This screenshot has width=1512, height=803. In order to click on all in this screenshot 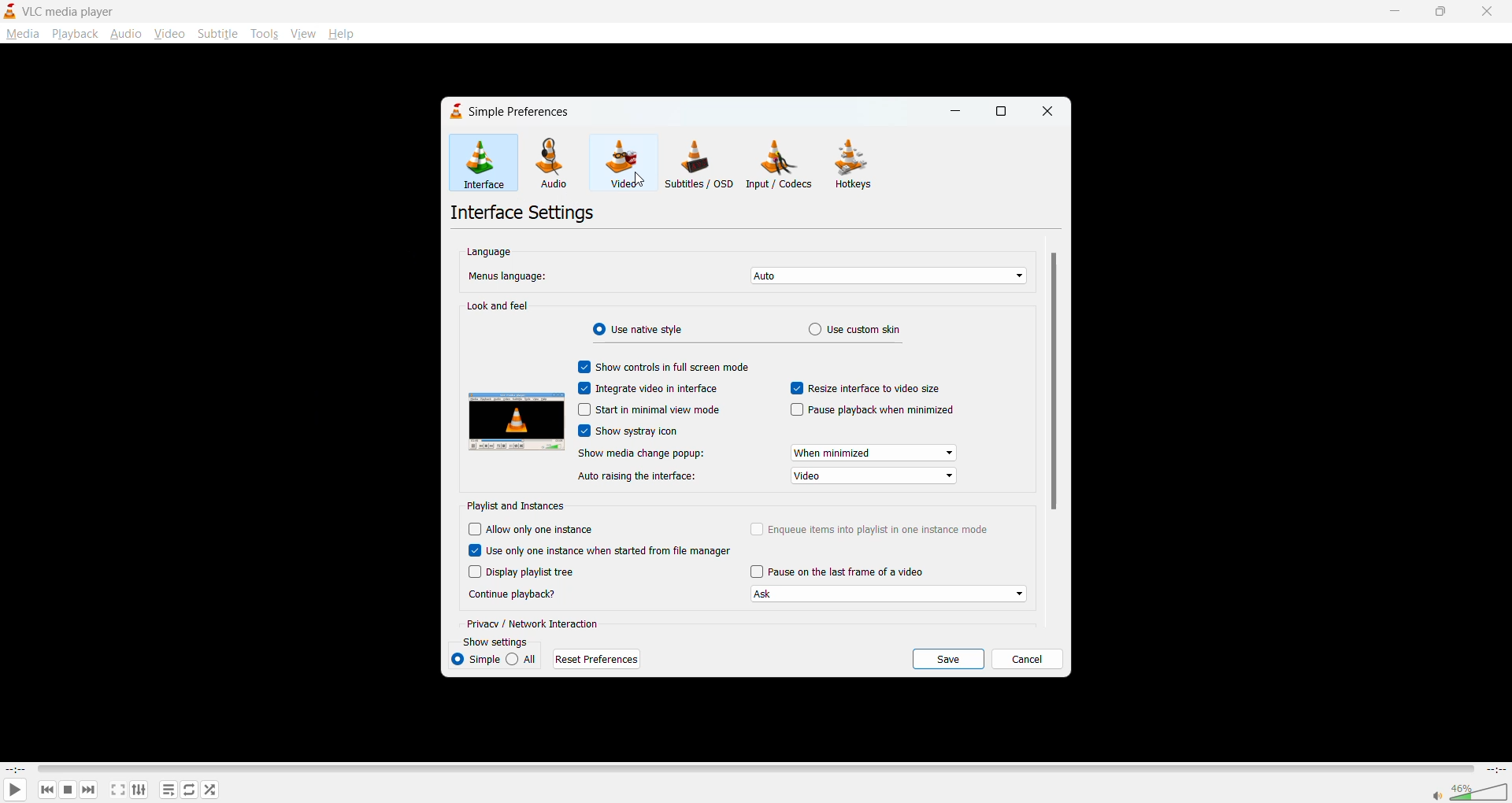, I will do `click(524, 657)`.